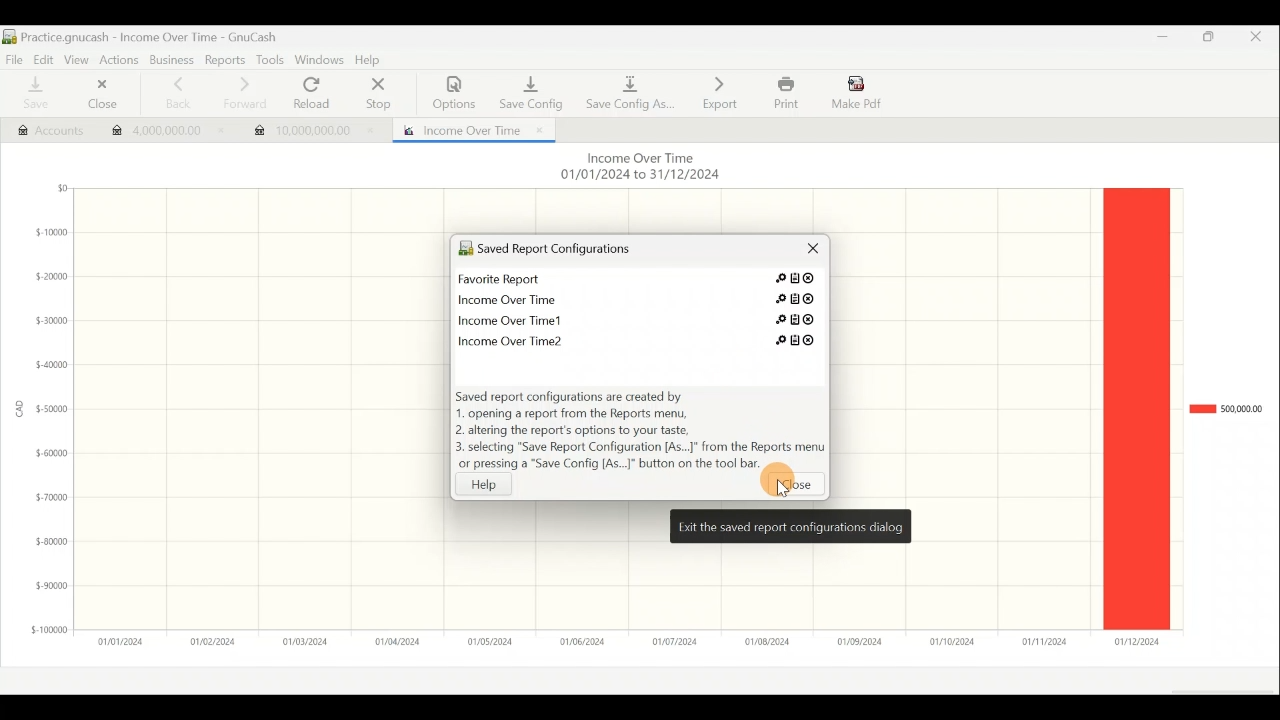 This screenshot has width=1280, height=720. What do you see at coordinates (372, 61) in the screenshot?
I see `Help` at bounding box center [372, 61].